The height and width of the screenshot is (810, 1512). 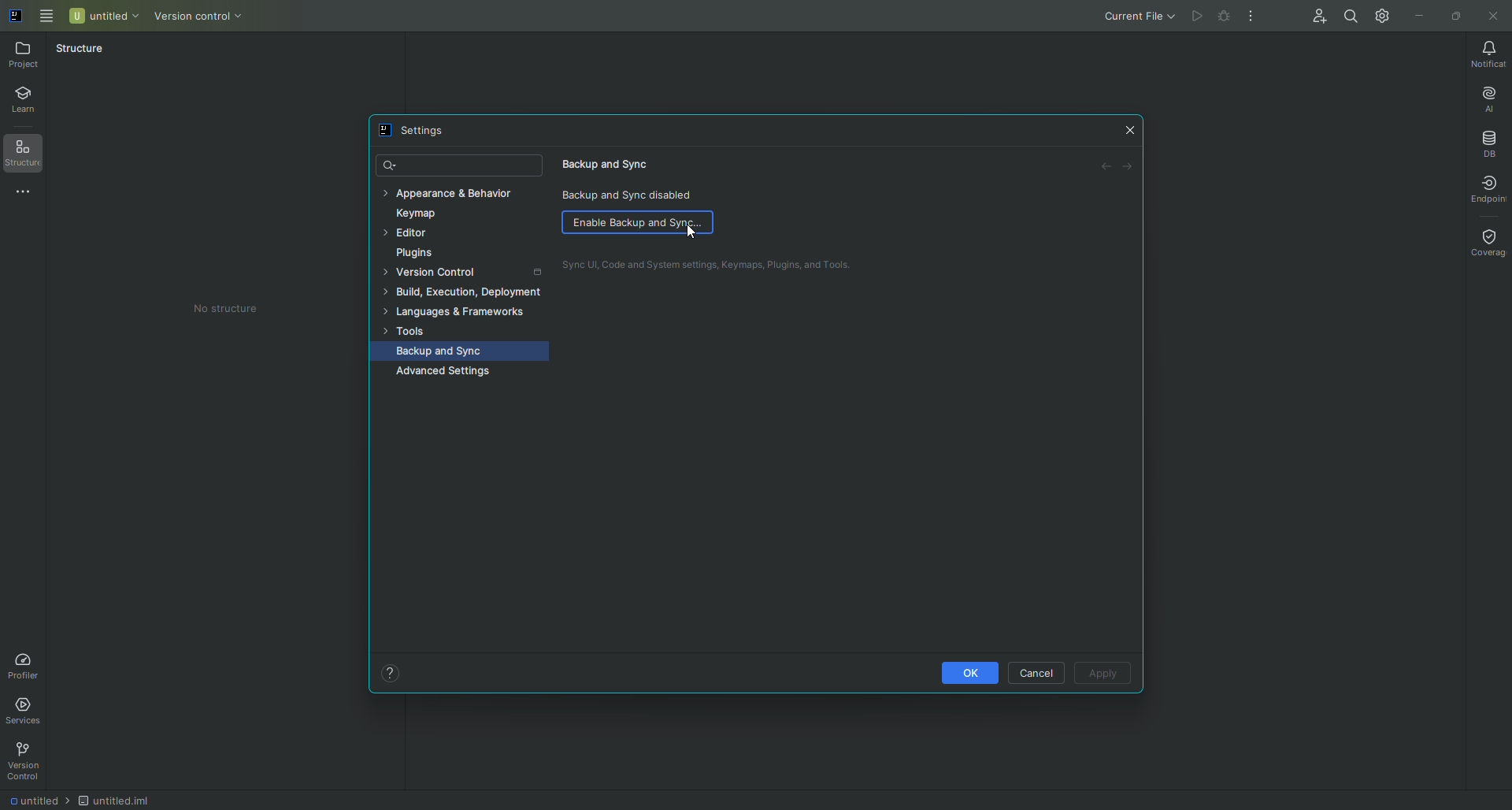 What do you see at coordinates (421, 217) in the screenshot?
I see `Keymap` at bounding box center [421, 217].